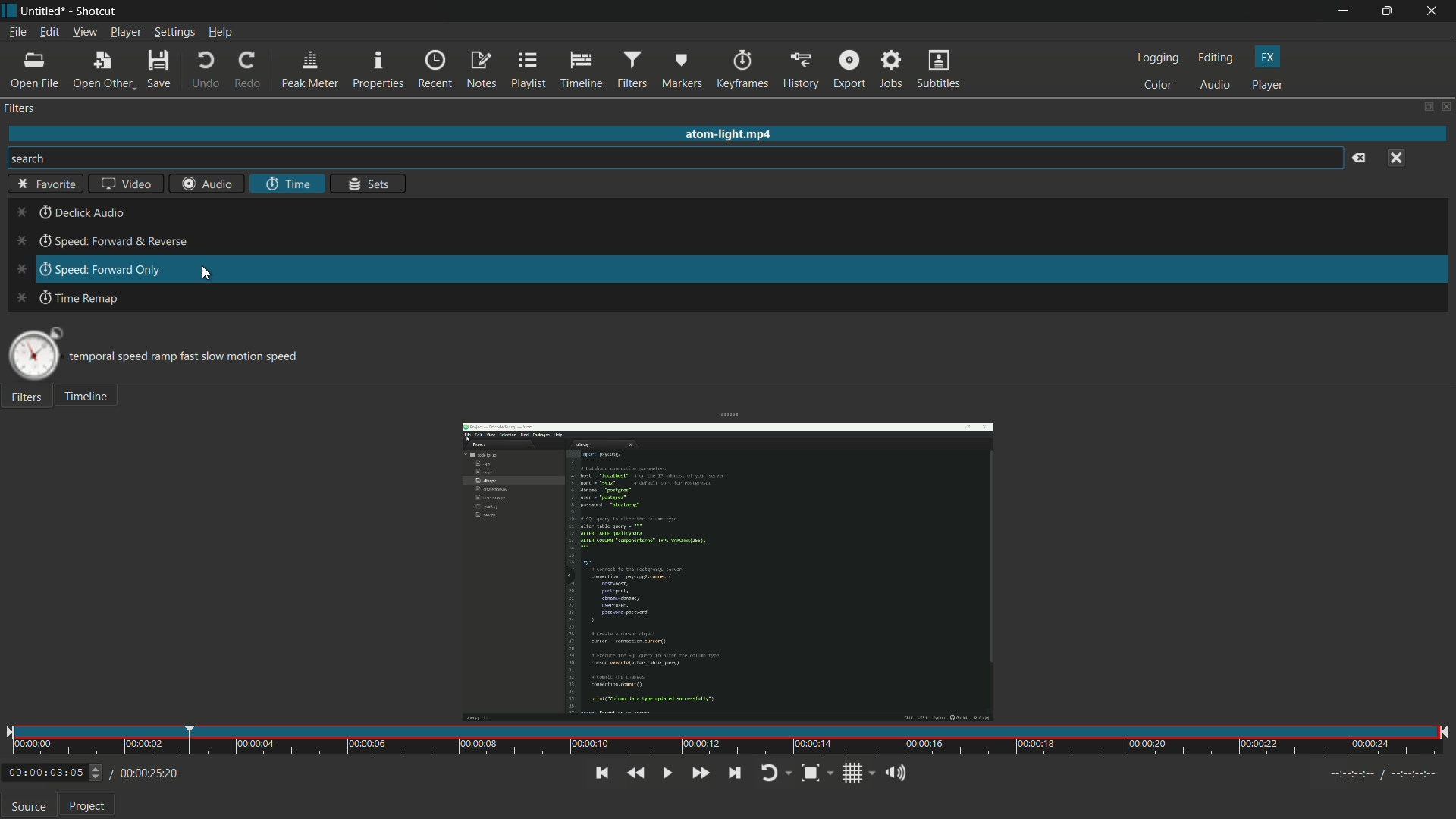 The height and width of the screenshot is (819, 1456). Describe the element at coordinates (125, 33) in the screenshot. I see `player menu` at that location.